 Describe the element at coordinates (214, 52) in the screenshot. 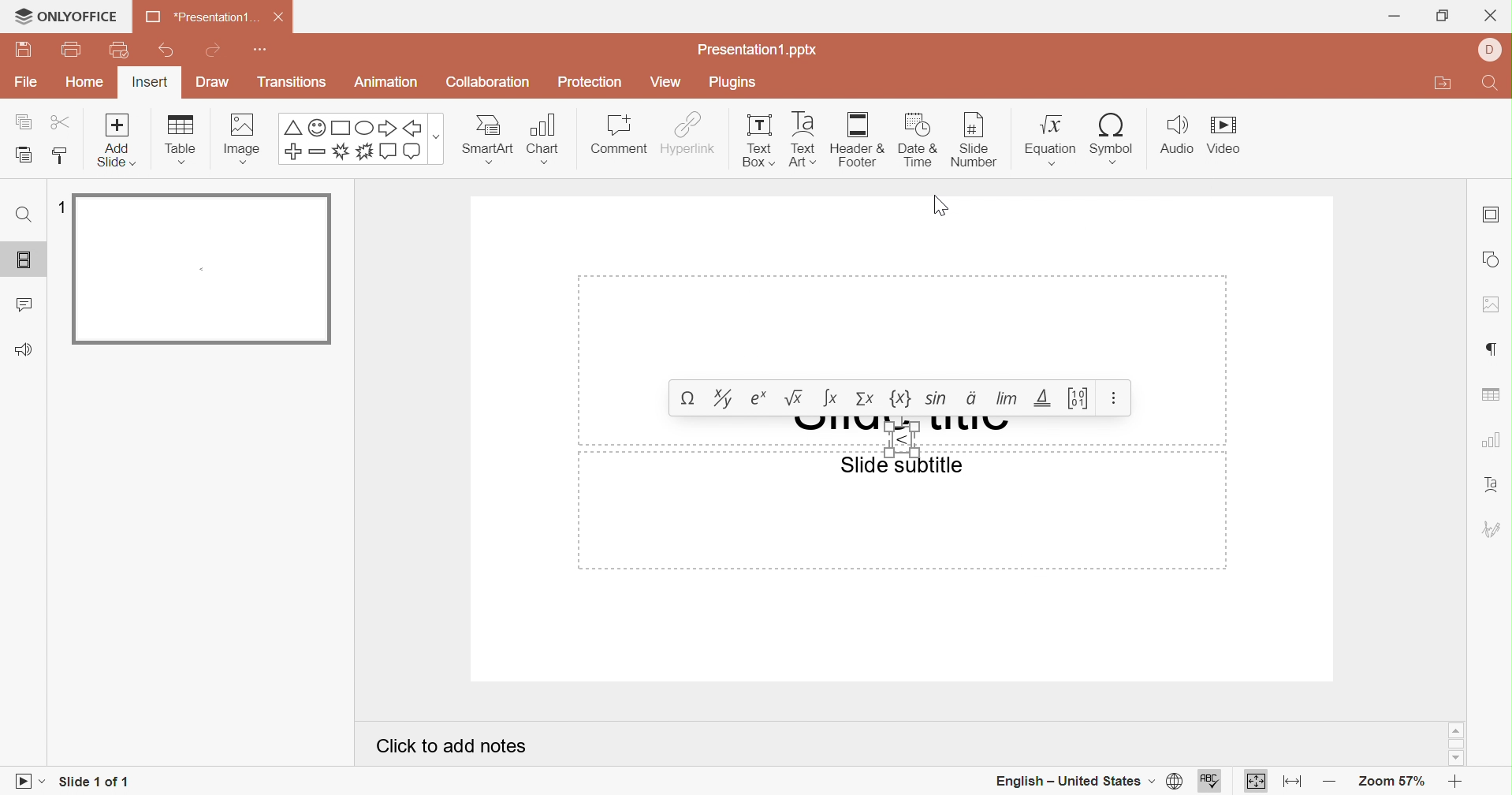

I see `Redo` at that location.